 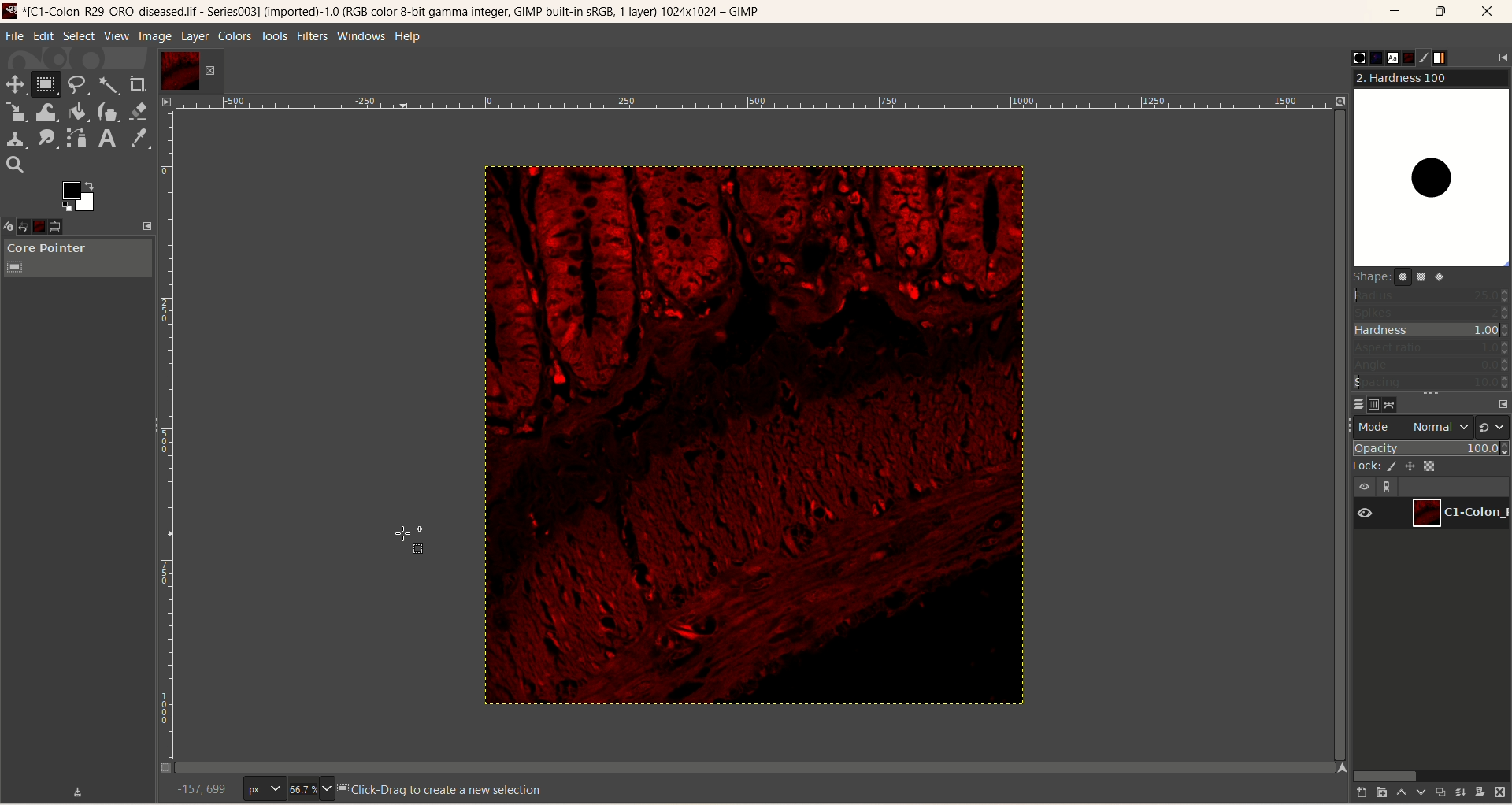 What do you see at coordinates (1399, 793) in the screenshot?
I see `raise this layer one step` at bounding box center [1399, 793].